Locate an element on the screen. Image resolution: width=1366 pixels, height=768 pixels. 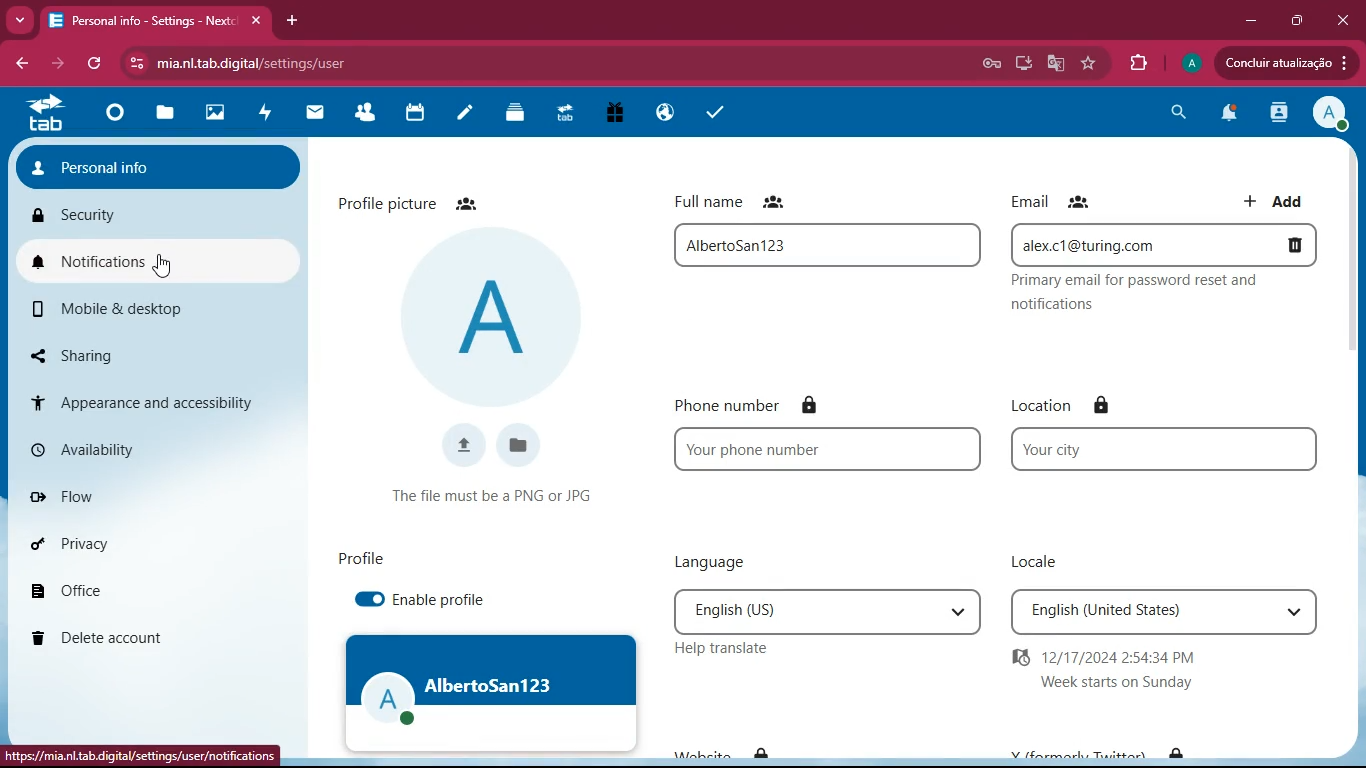
minimize is located at coordinates (1245, 22).